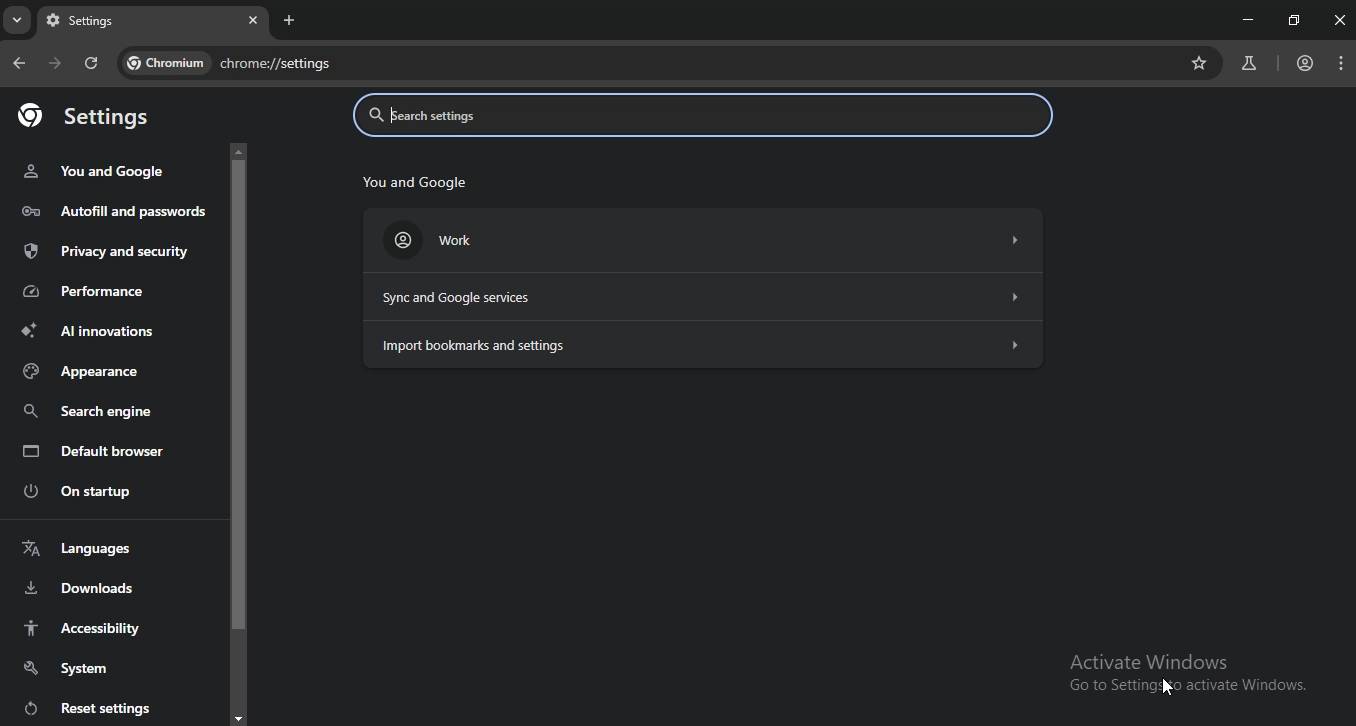  What do you see at coordinates (19, 64) in the screenshot?
I see `click to go back` at bounding box center [19, 64].